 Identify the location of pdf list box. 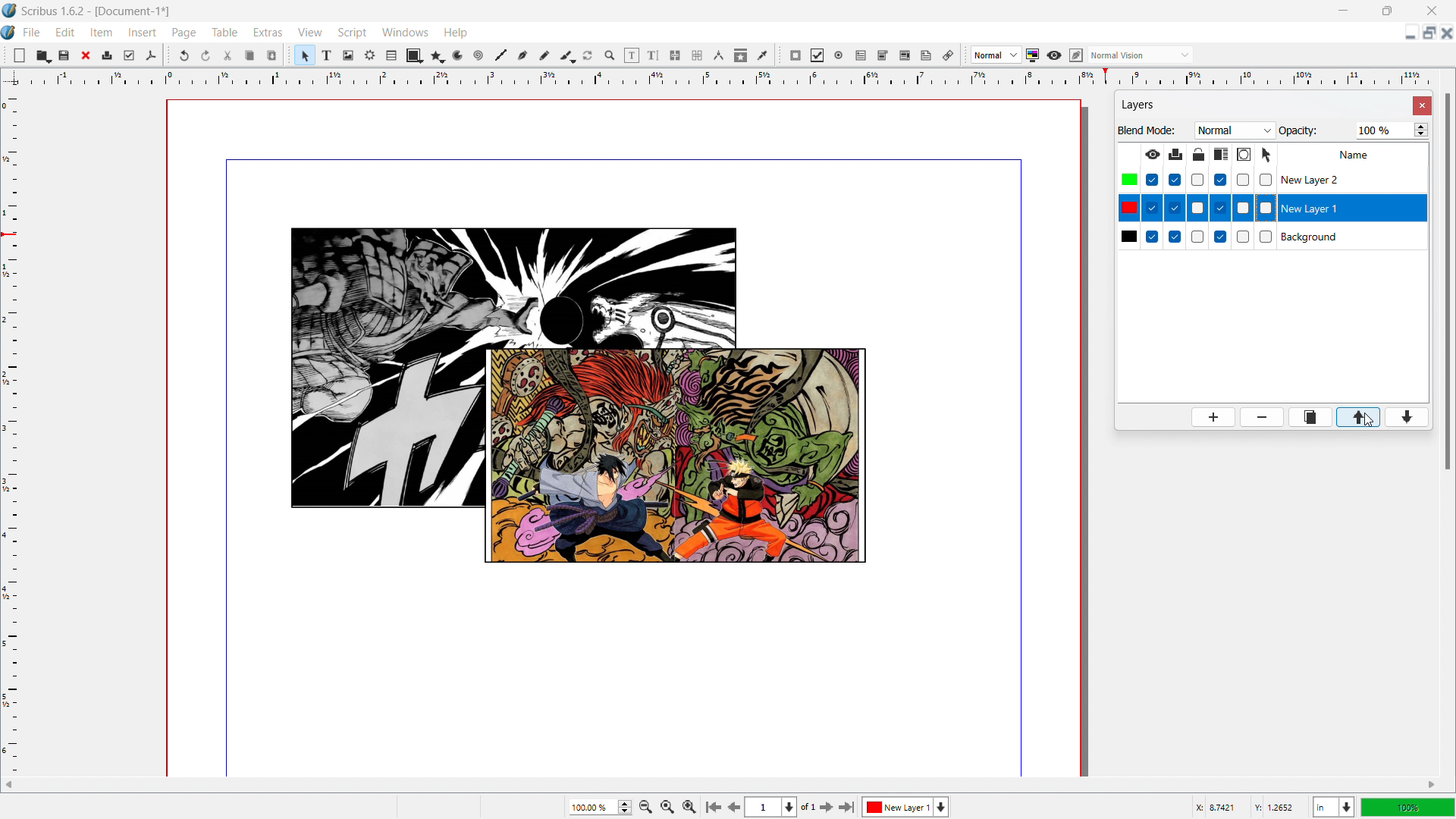
(905, 55).